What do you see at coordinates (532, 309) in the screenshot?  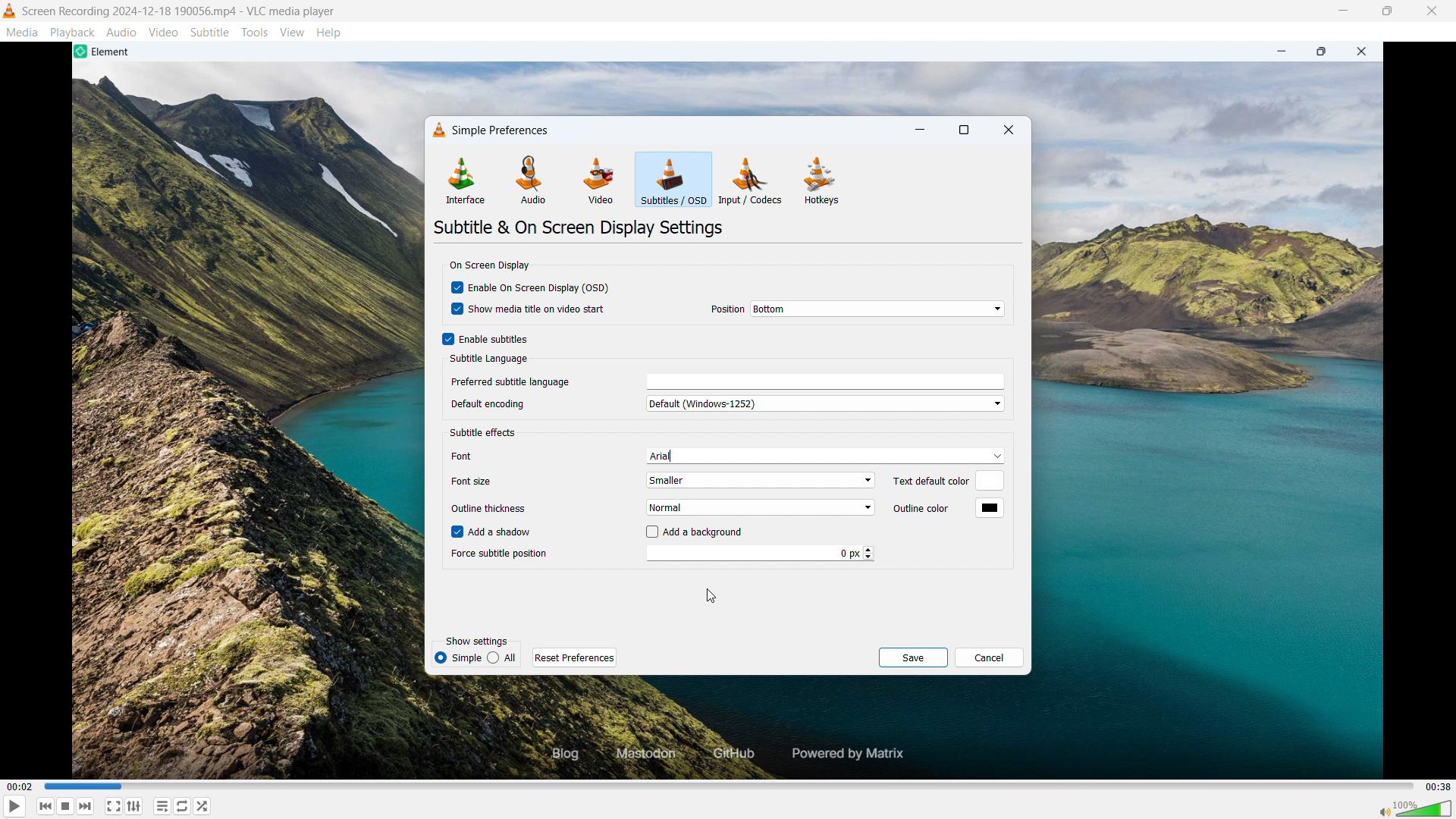 I see `show media title on video start` at bounding box center [532, 309].